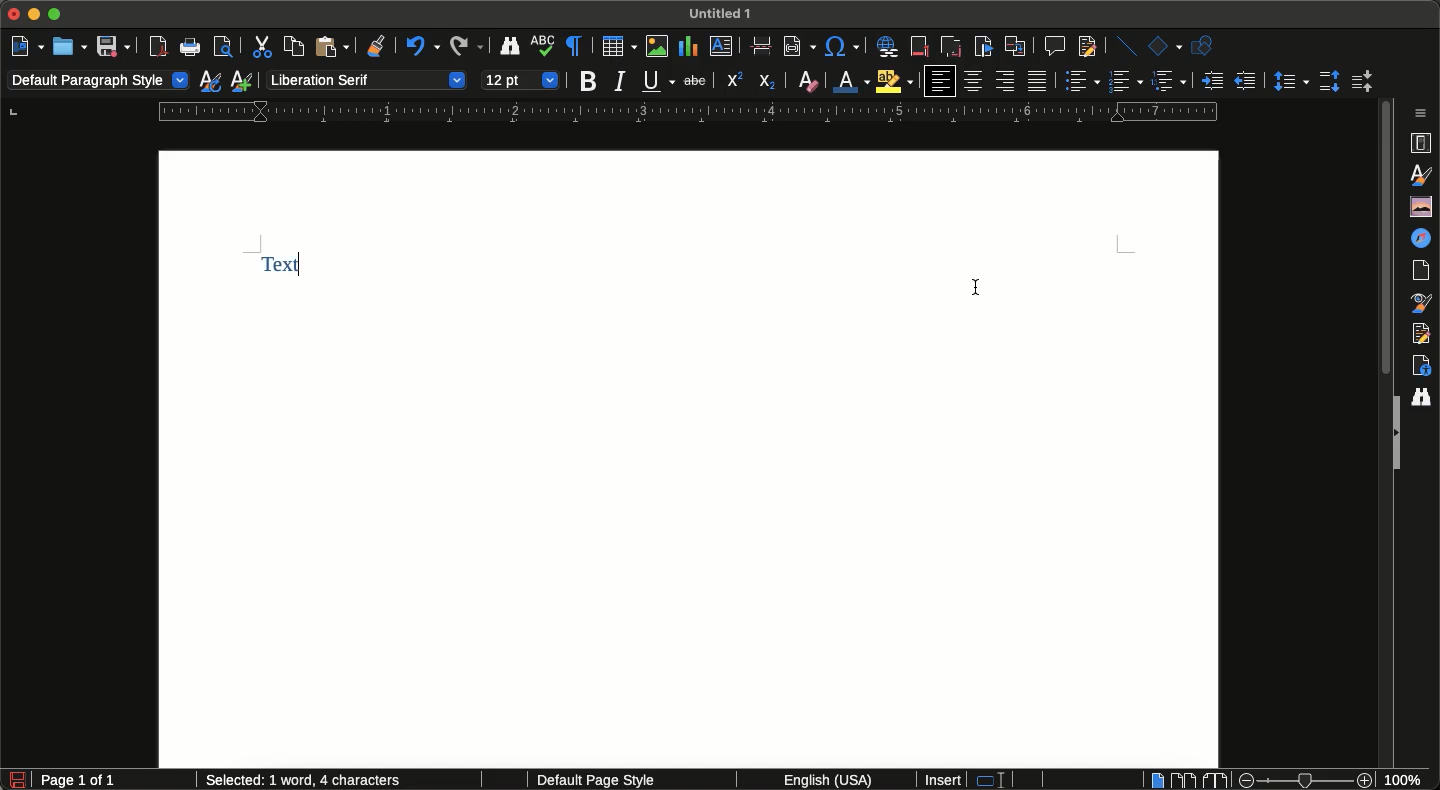 This screenshot has height=790, width=1440. What do you see at coordinates (114, 781) in the screenshot?
I see `Page count` at bounding box center [114, 781].